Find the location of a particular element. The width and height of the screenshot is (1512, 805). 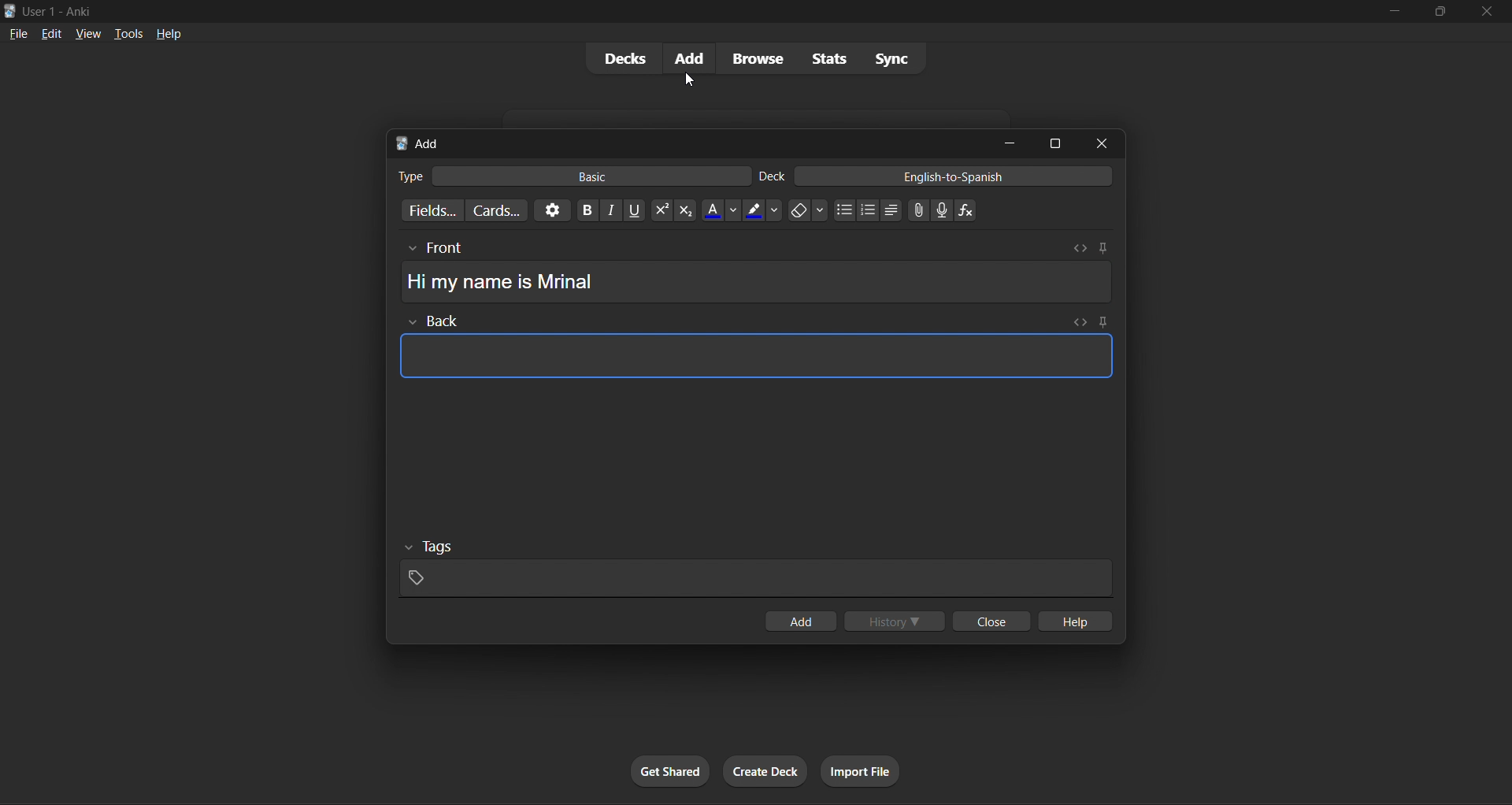

add card title bar is located at coordinates (685, 140).